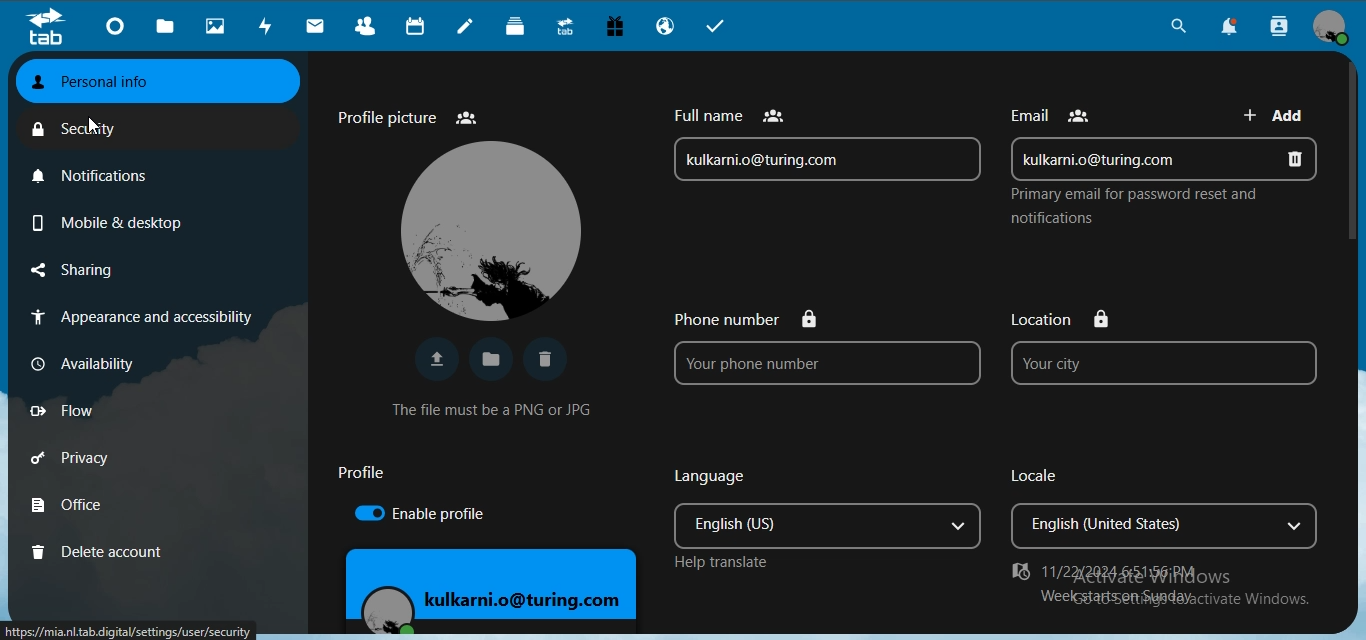 The height and width of the screenshot is (640, 1366). Describe the element at coordinates (713, 475) in the screenshot. I see `language` at that location.